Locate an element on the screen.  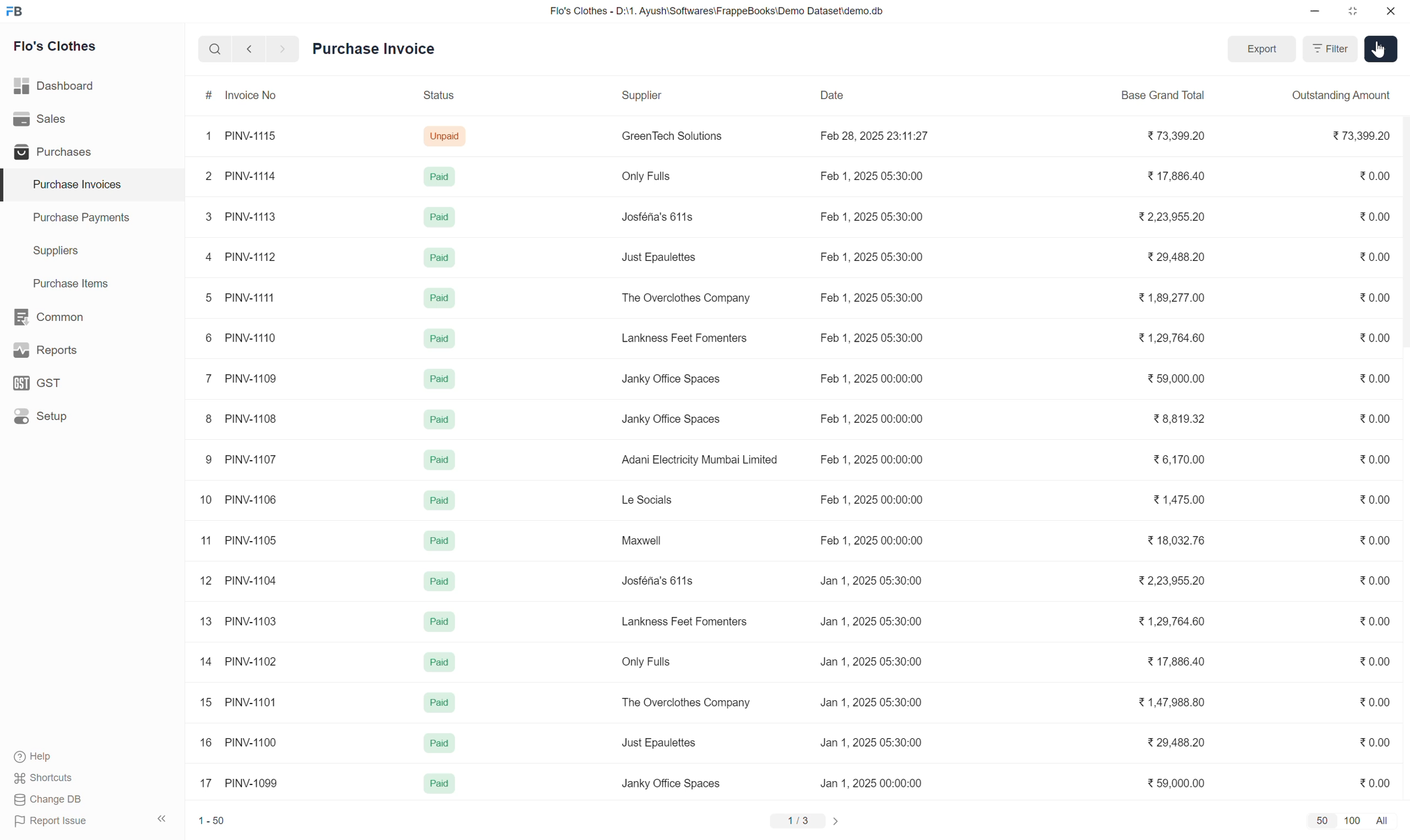
Jan 1, 2025 00:00:00 is located at coordinates (878, 784).